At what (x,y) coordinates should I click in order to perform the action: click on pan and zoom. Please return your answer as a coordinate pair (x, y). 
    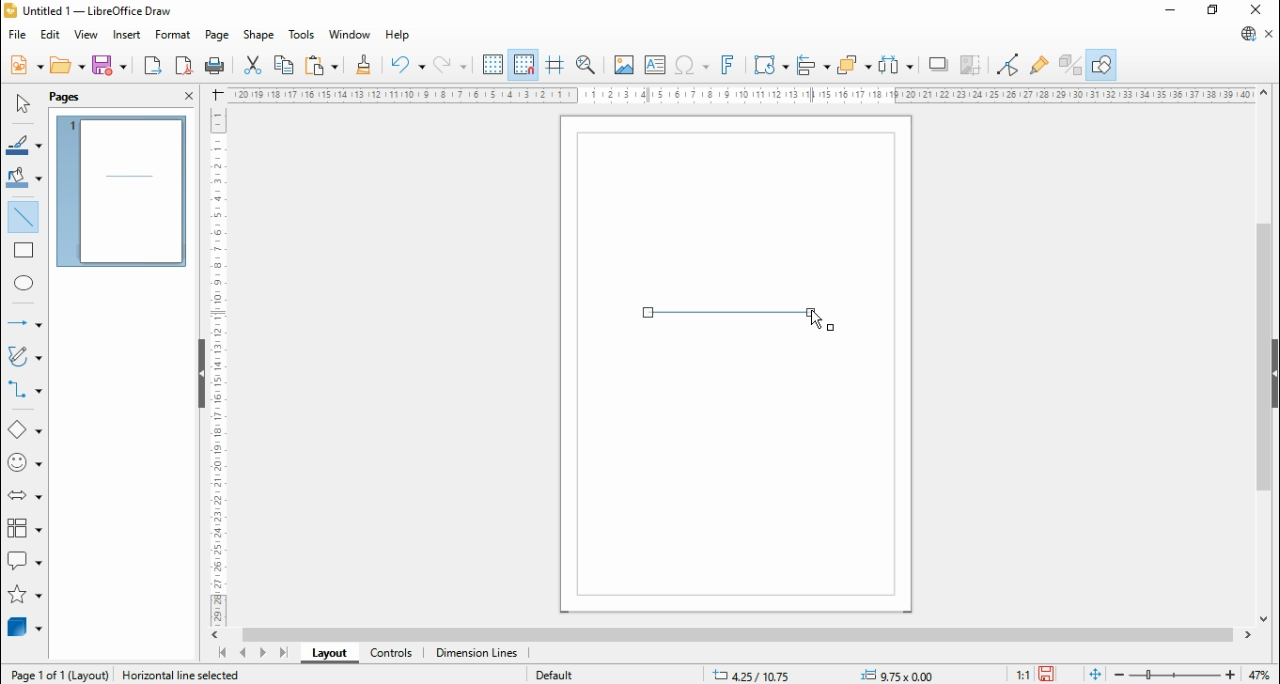
    Looking at the image, I should click on (586, 64).